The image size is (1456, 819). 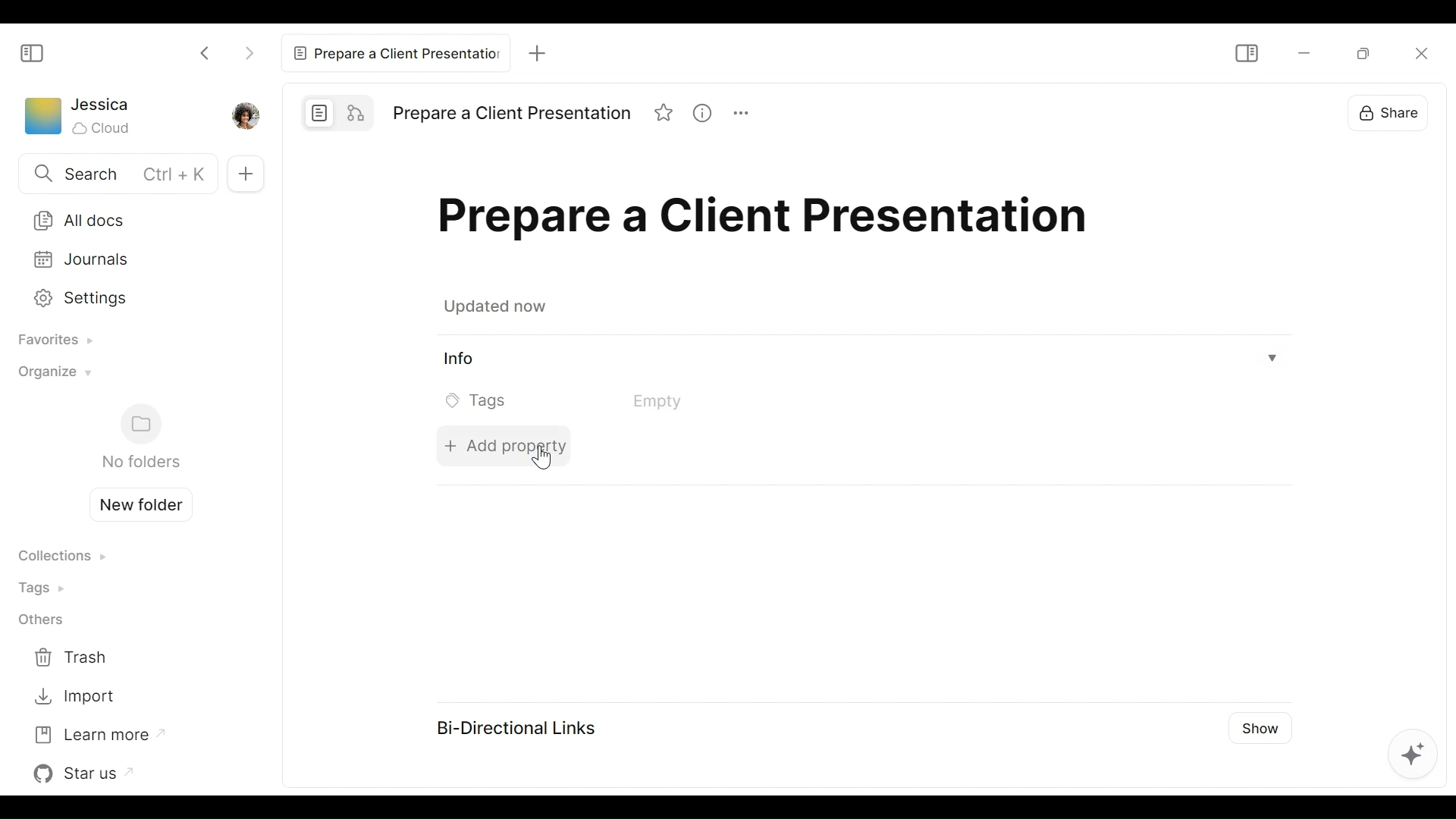 I want to click on Favorite, so click(x=665, y=115).